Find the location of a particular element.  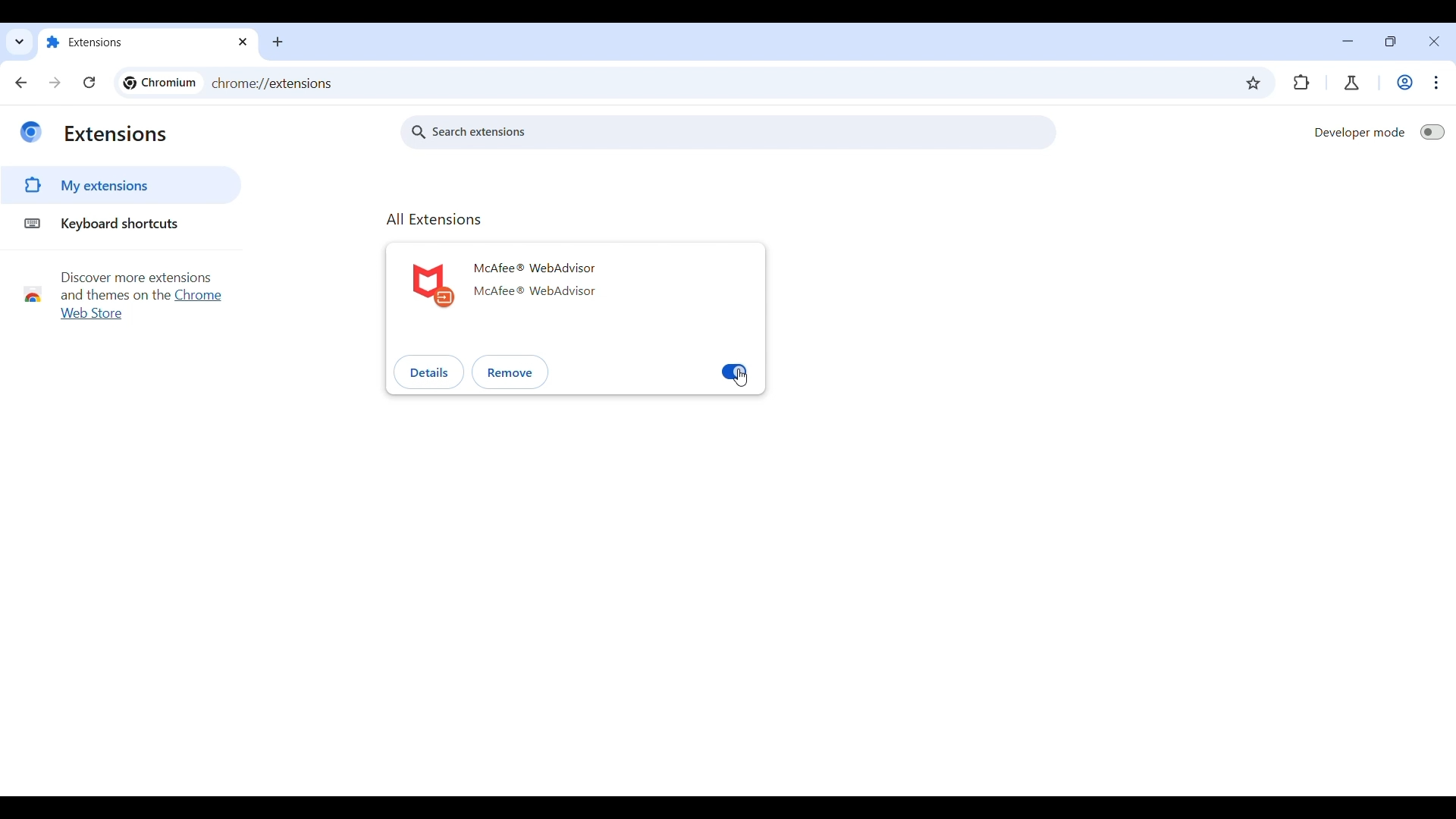

chrome://extensions is located at coordinates (274, 83).